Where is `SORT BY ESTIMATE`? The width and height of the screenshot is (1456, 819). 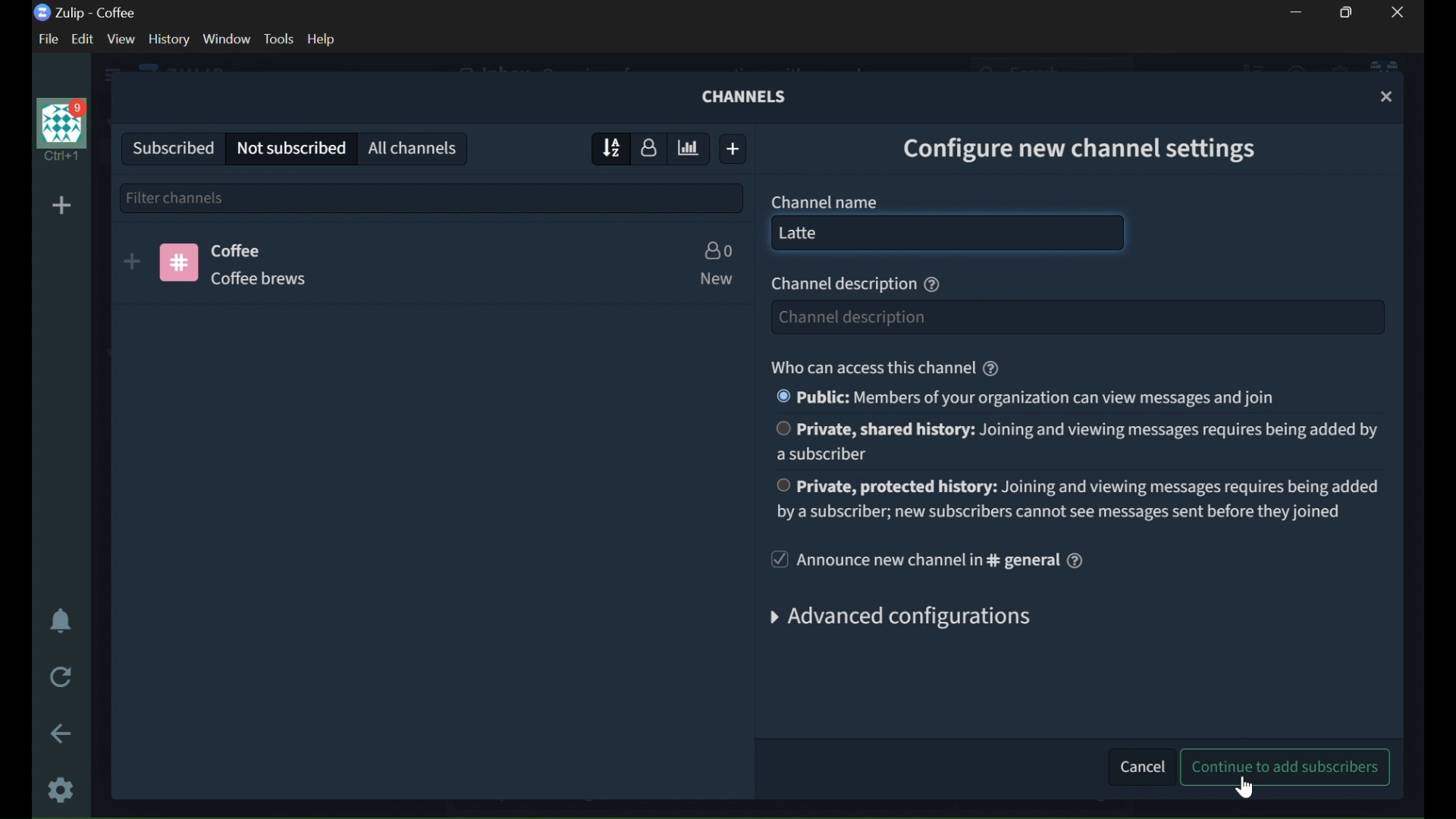
SORT BY ESTIMATE is located at coordinates (690, 149).